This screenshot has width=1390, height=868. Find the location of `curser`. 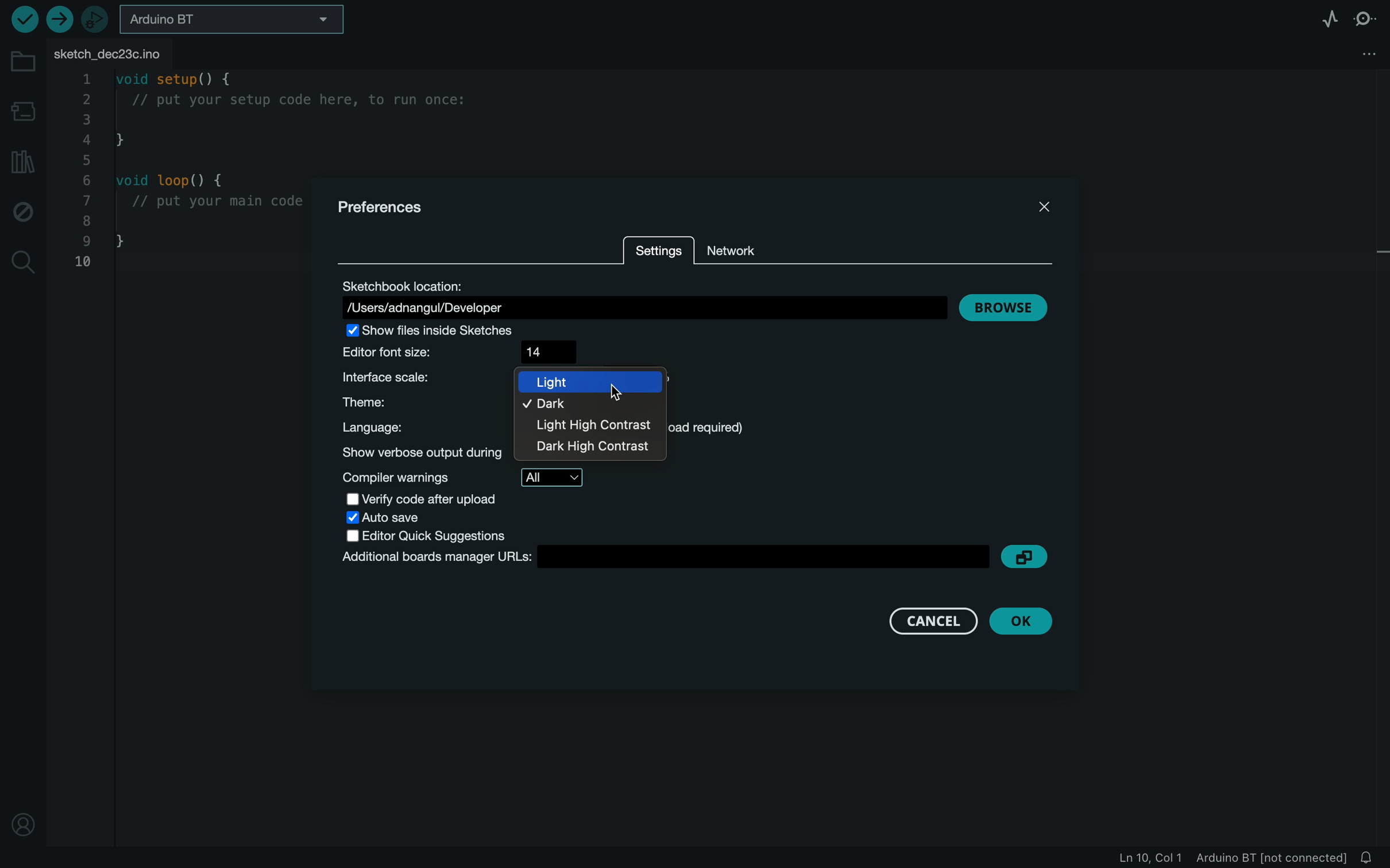

curser is located at coordinates (620, 393).